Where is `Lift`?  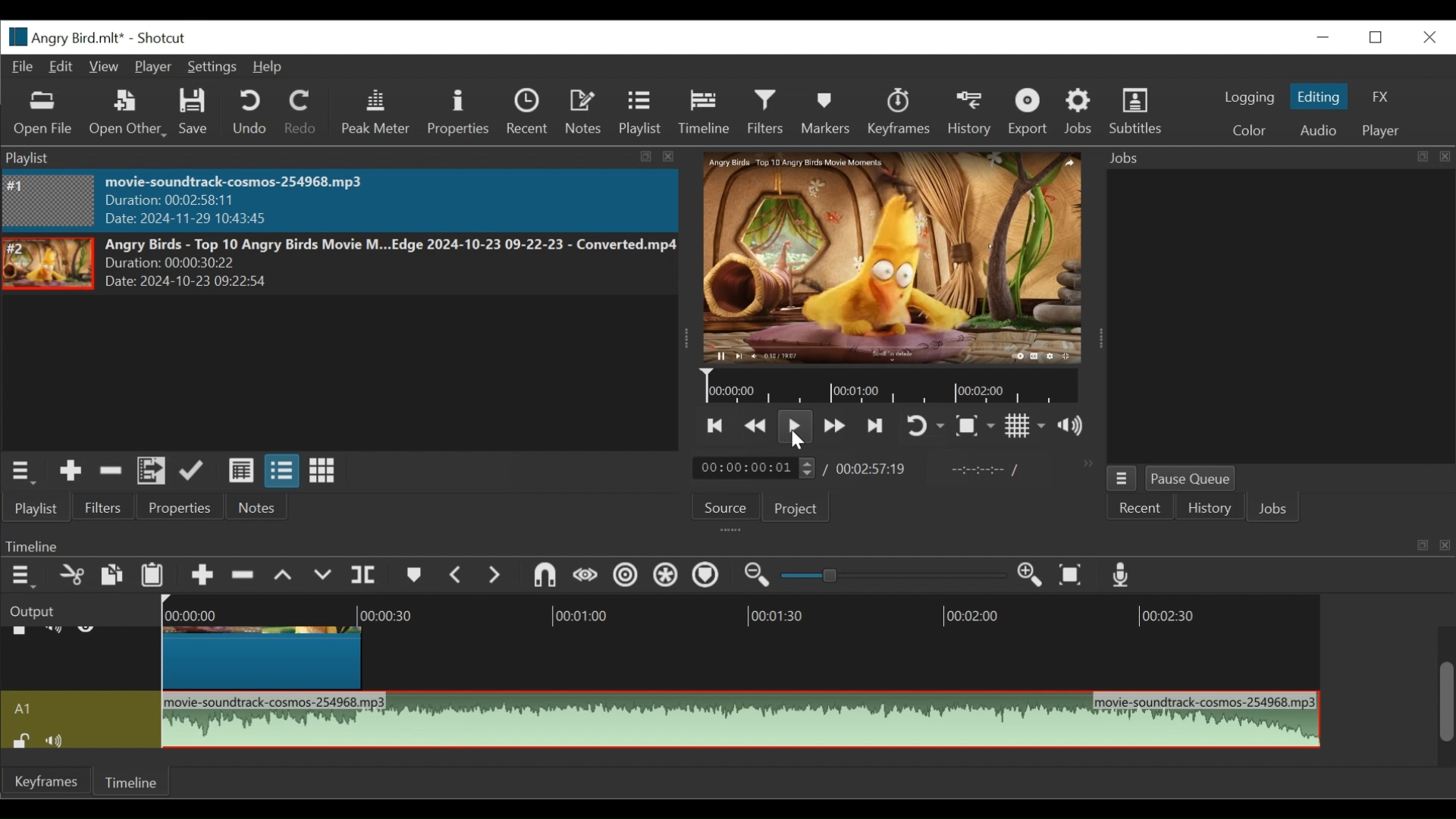
Lift is located at coordinates (285, 576).